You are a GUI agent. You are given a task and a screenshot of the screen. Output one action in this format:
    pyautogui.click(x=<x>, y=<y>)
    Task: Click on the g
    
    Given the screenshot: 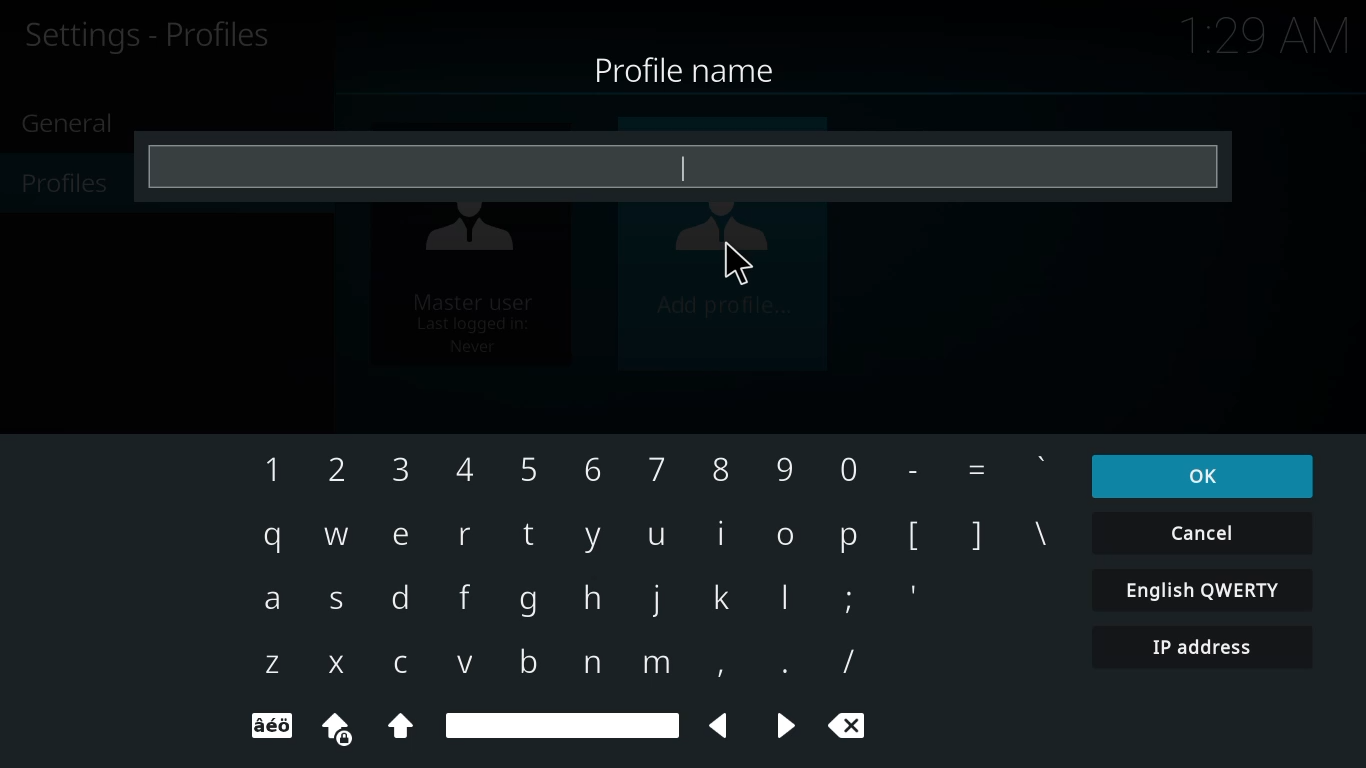 What is the action you would take?
    pyautogui.click(x=526, y=607)
    